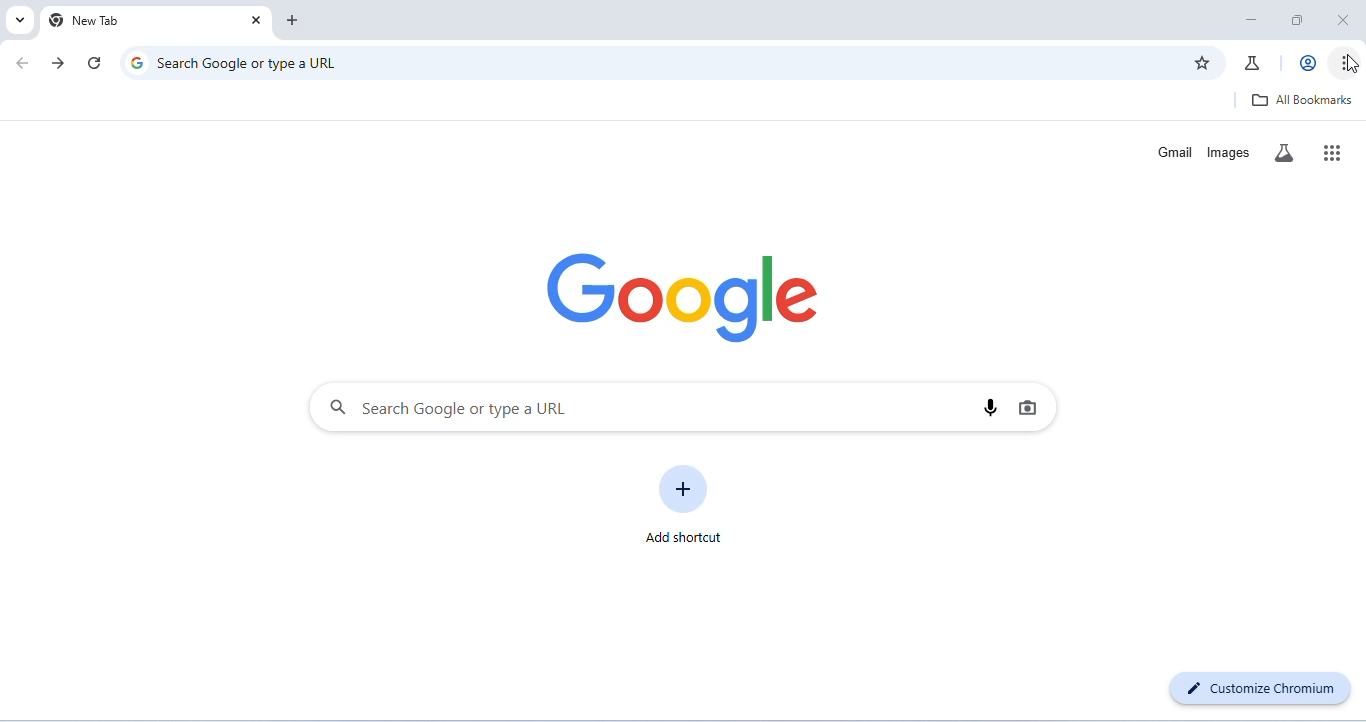 The height and width of the screenshot is (722, 1366). I want to click on customize and control chromium, so click(1340, 64).